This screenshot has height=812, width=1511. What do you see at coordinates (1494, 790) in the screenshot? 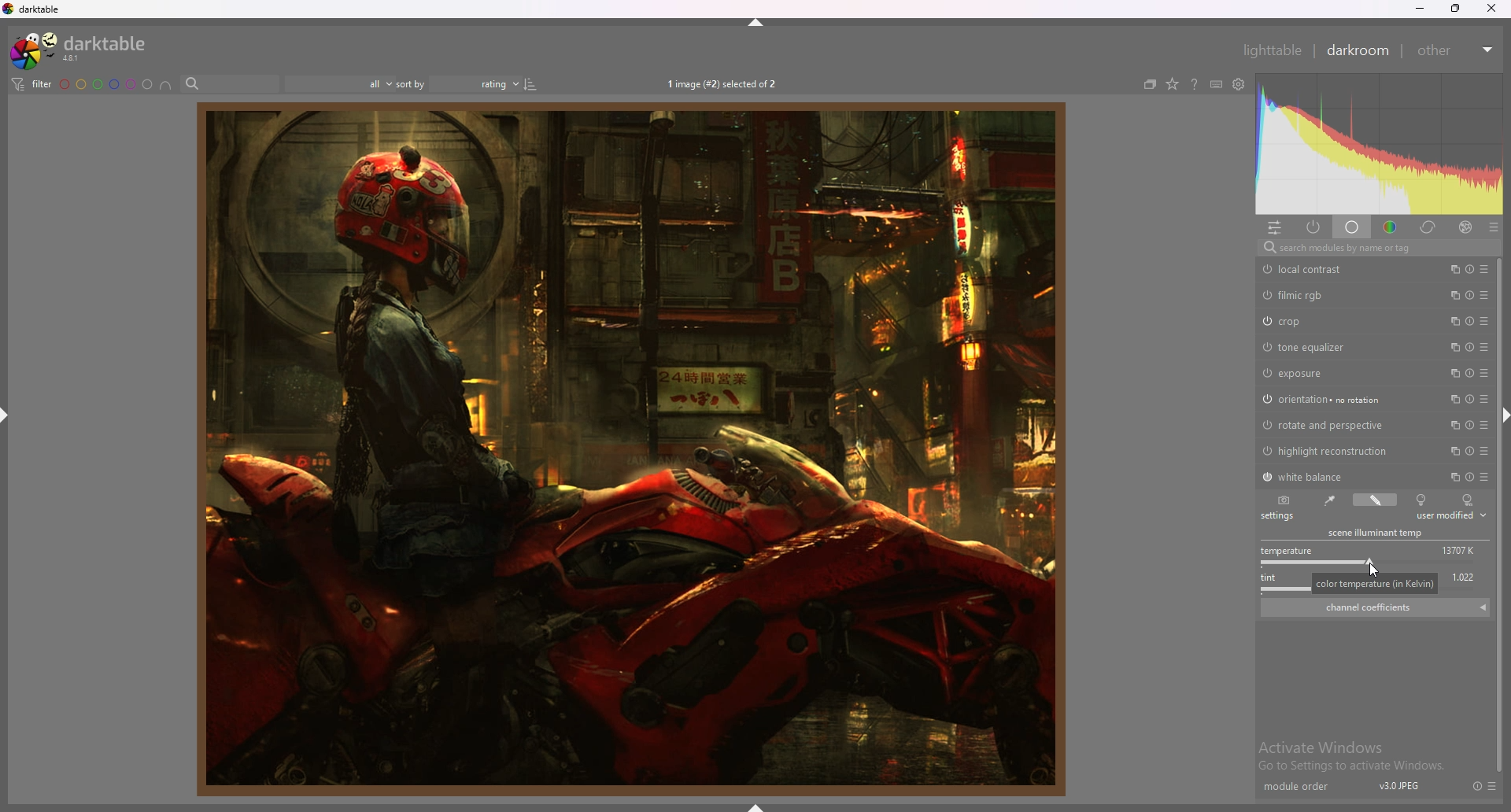
I see `presets` at bounding box center [1494, 790].